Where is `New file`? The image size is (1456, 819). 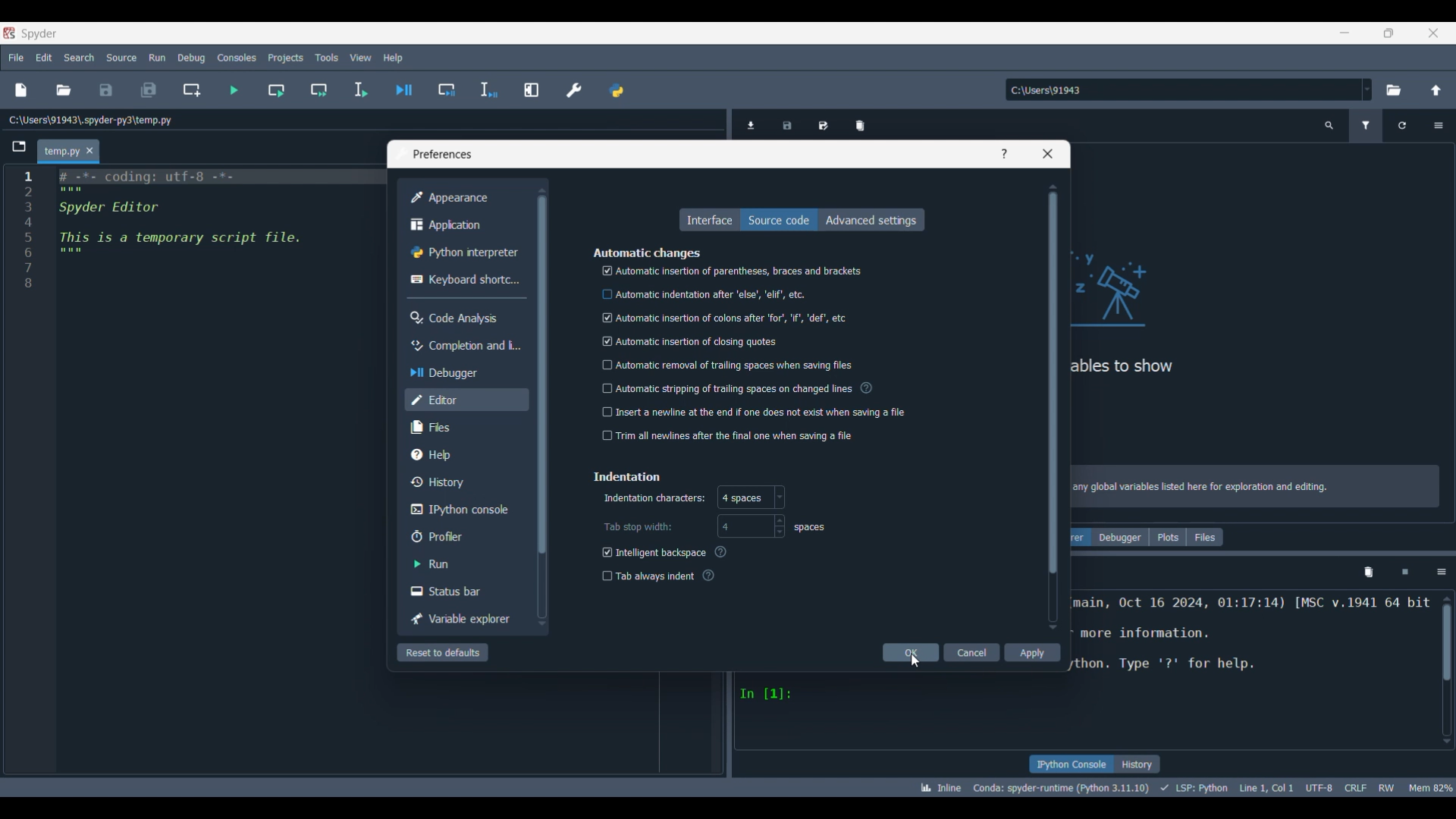
New file is located at coordinates (21, 90).